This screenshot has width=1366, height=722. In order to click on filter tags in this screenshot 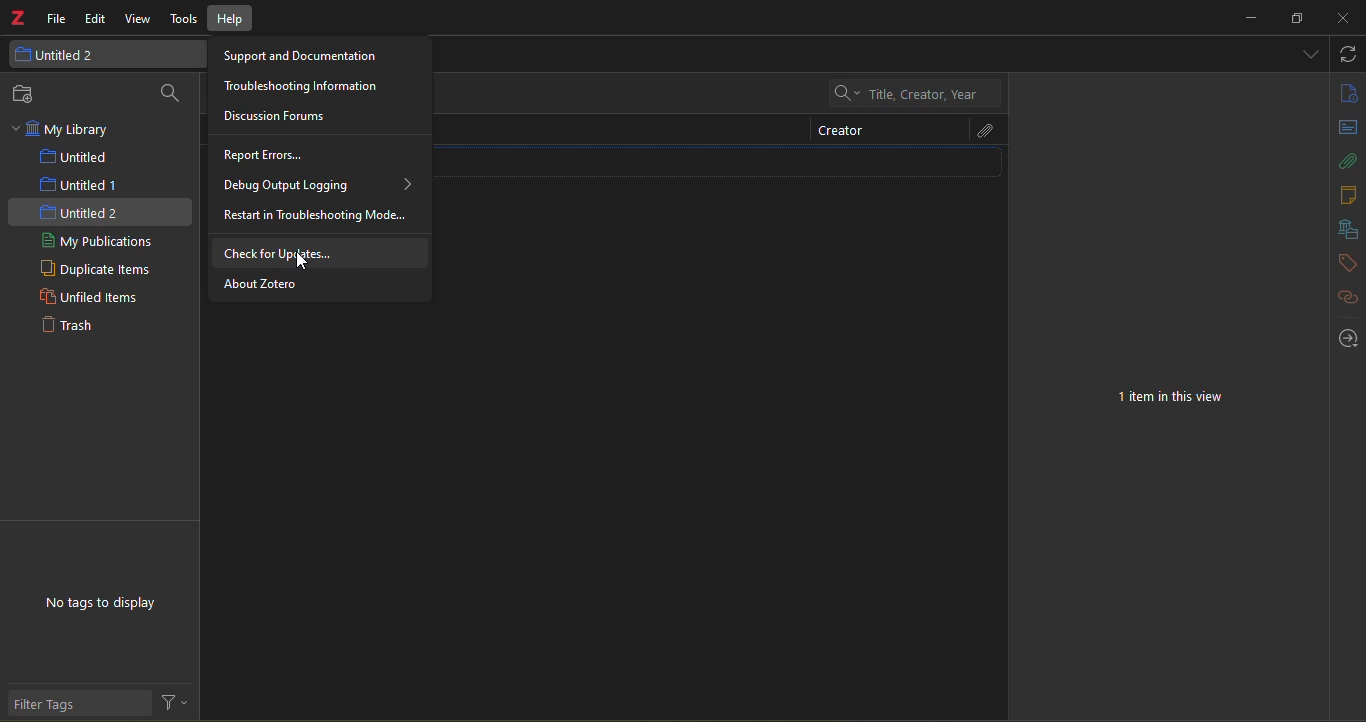, I will do `click(79, 703)`.